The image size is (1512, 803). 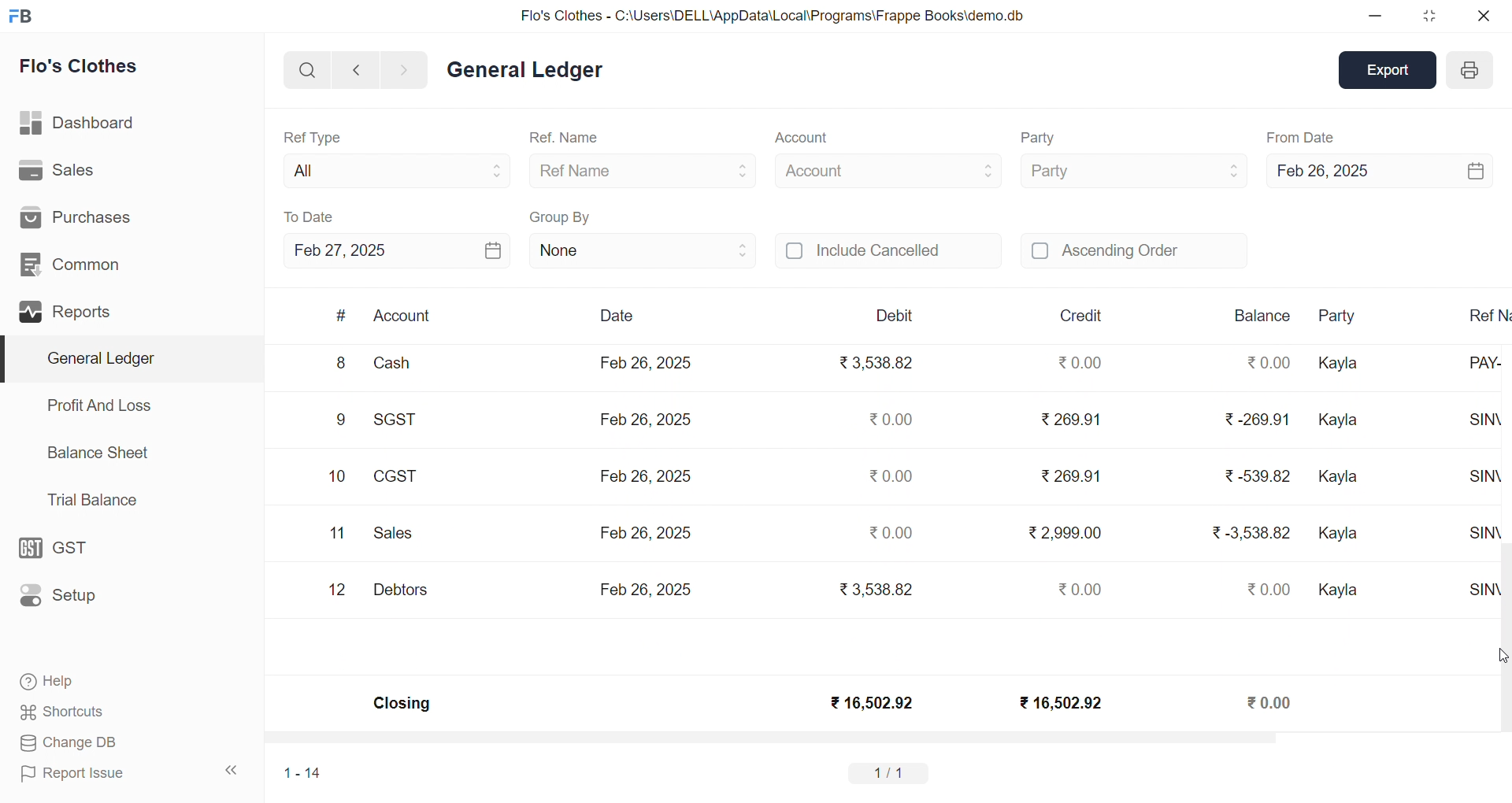 What do you see at coordinates (524, 71) in the screenshot?
I see `General Ledger` at bounding box center [524, 71].